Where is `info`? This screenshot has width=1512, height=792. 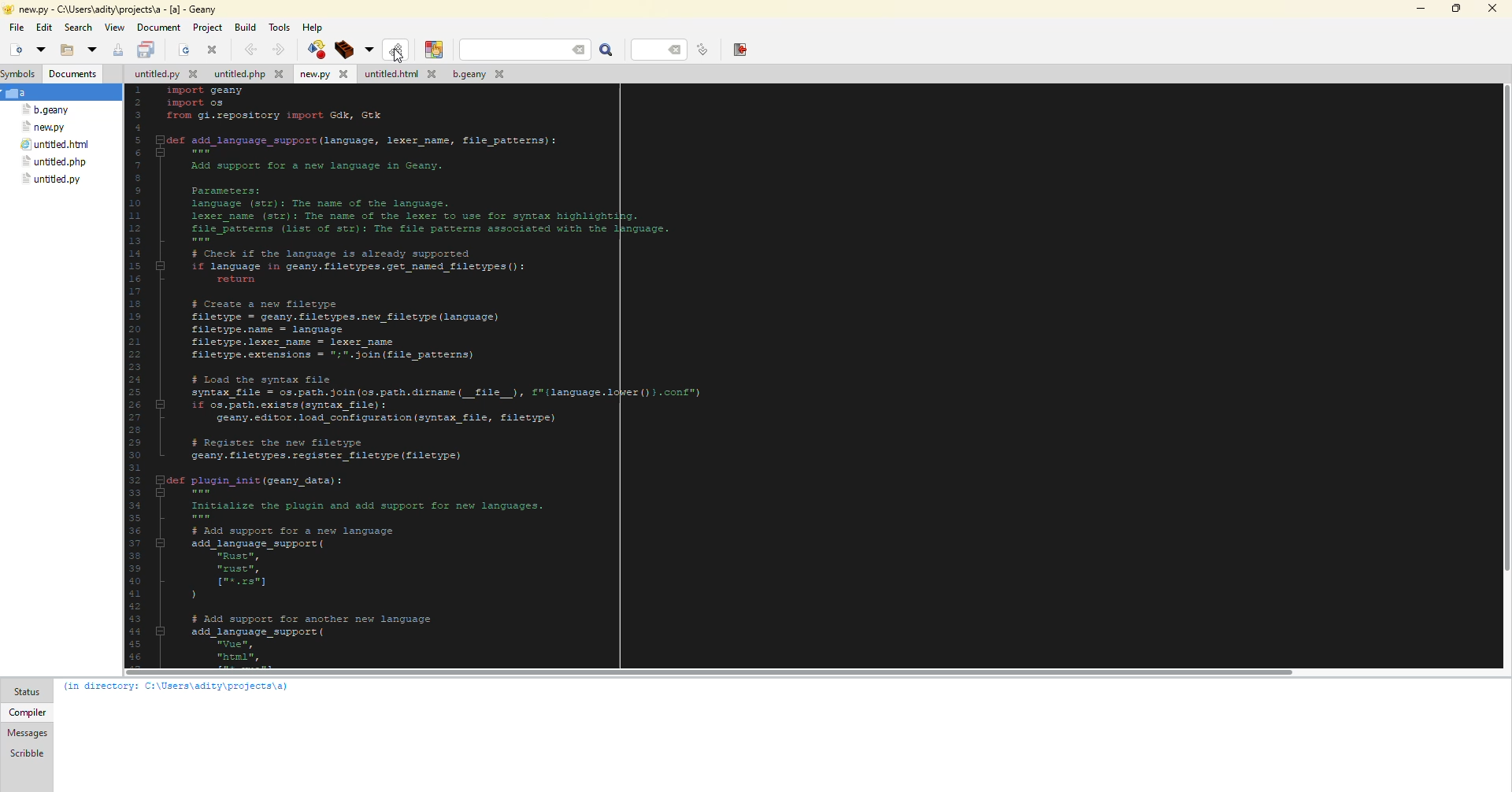
info is located at coordinates (178, 687).